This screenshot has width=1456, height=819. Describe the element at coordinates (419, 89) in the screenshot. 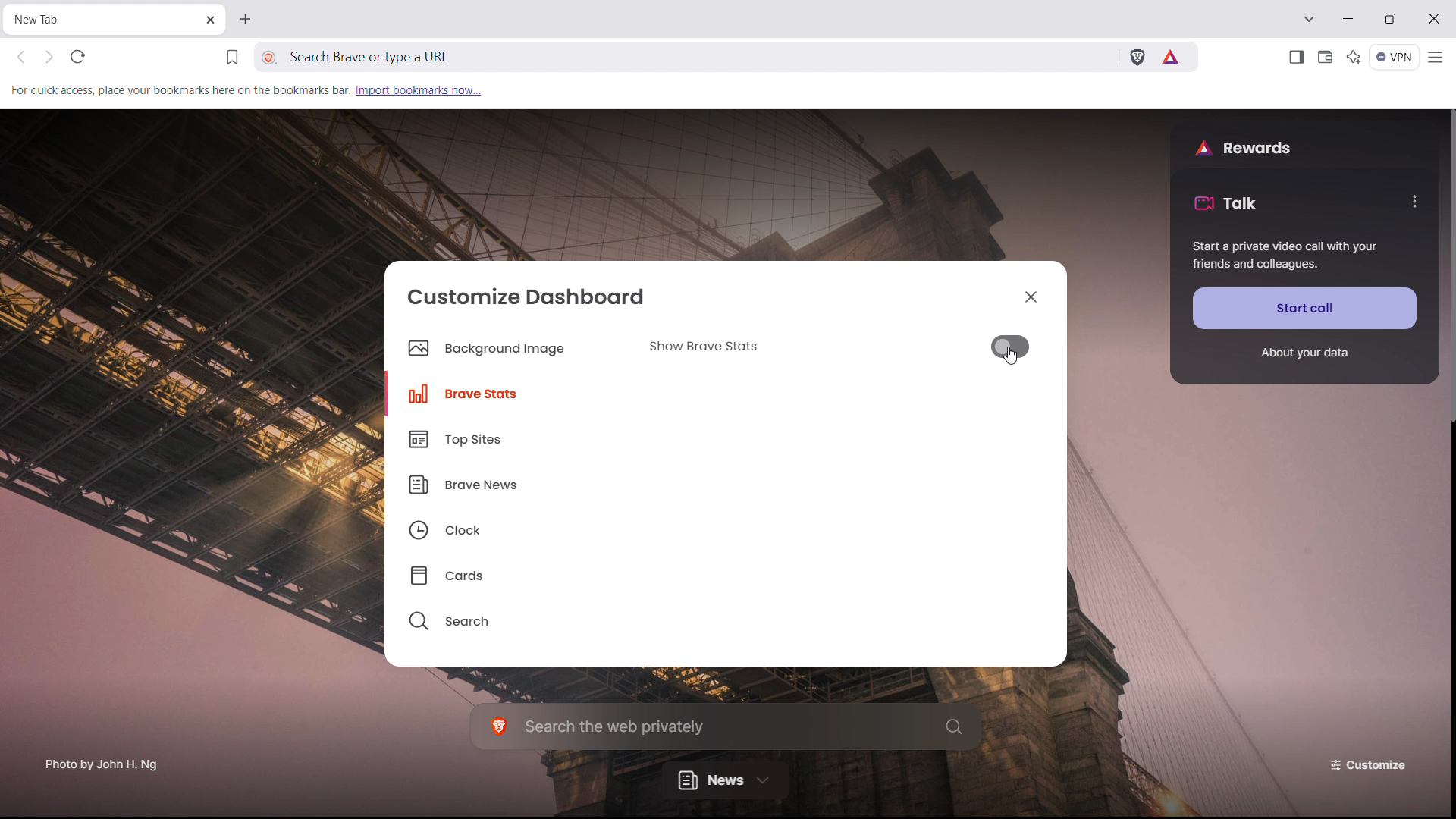

I see `import bookmarks now` at that location.